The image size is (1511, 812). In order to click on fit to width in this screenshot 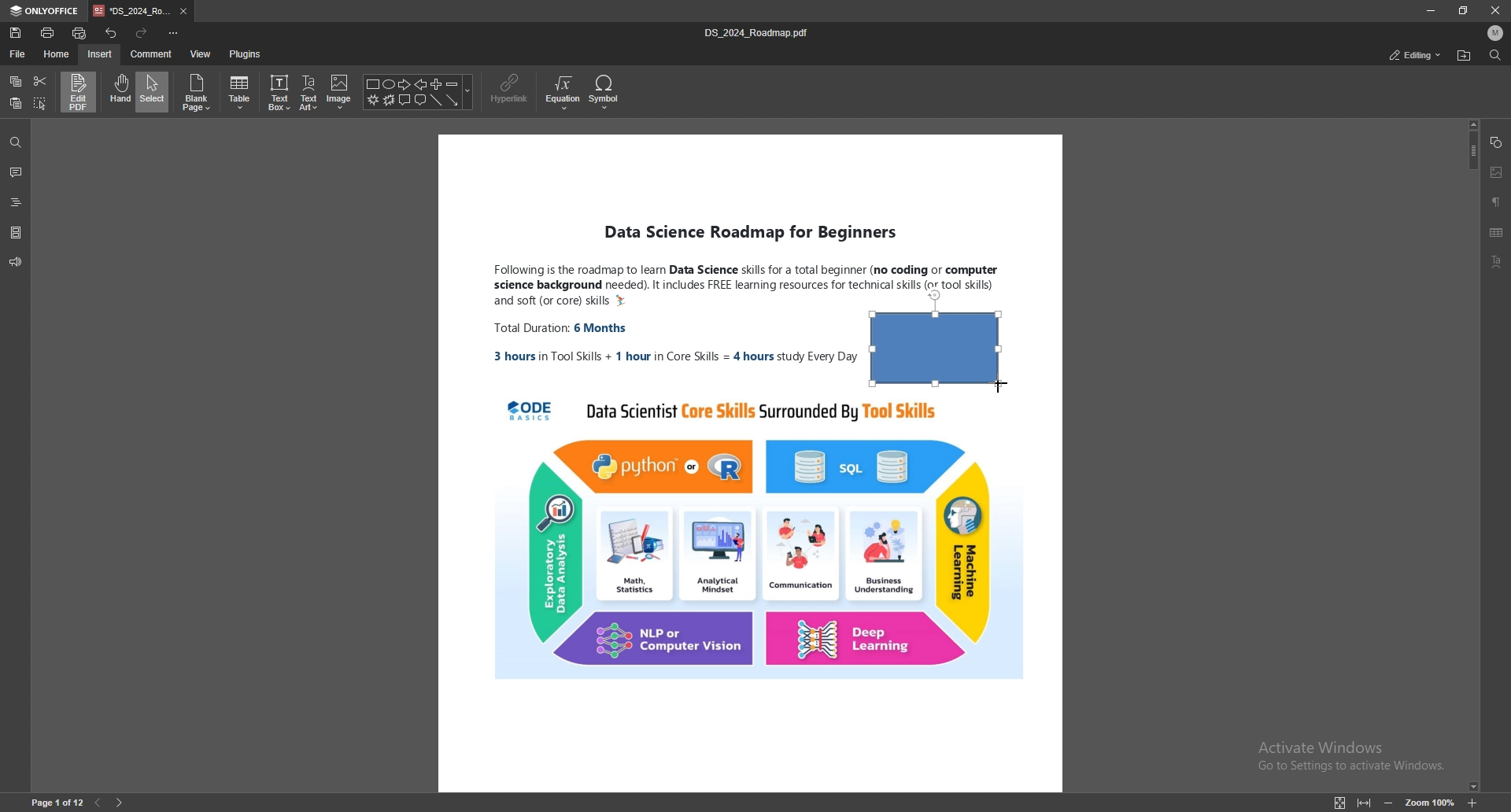, I will do `click(1366, 806)`.